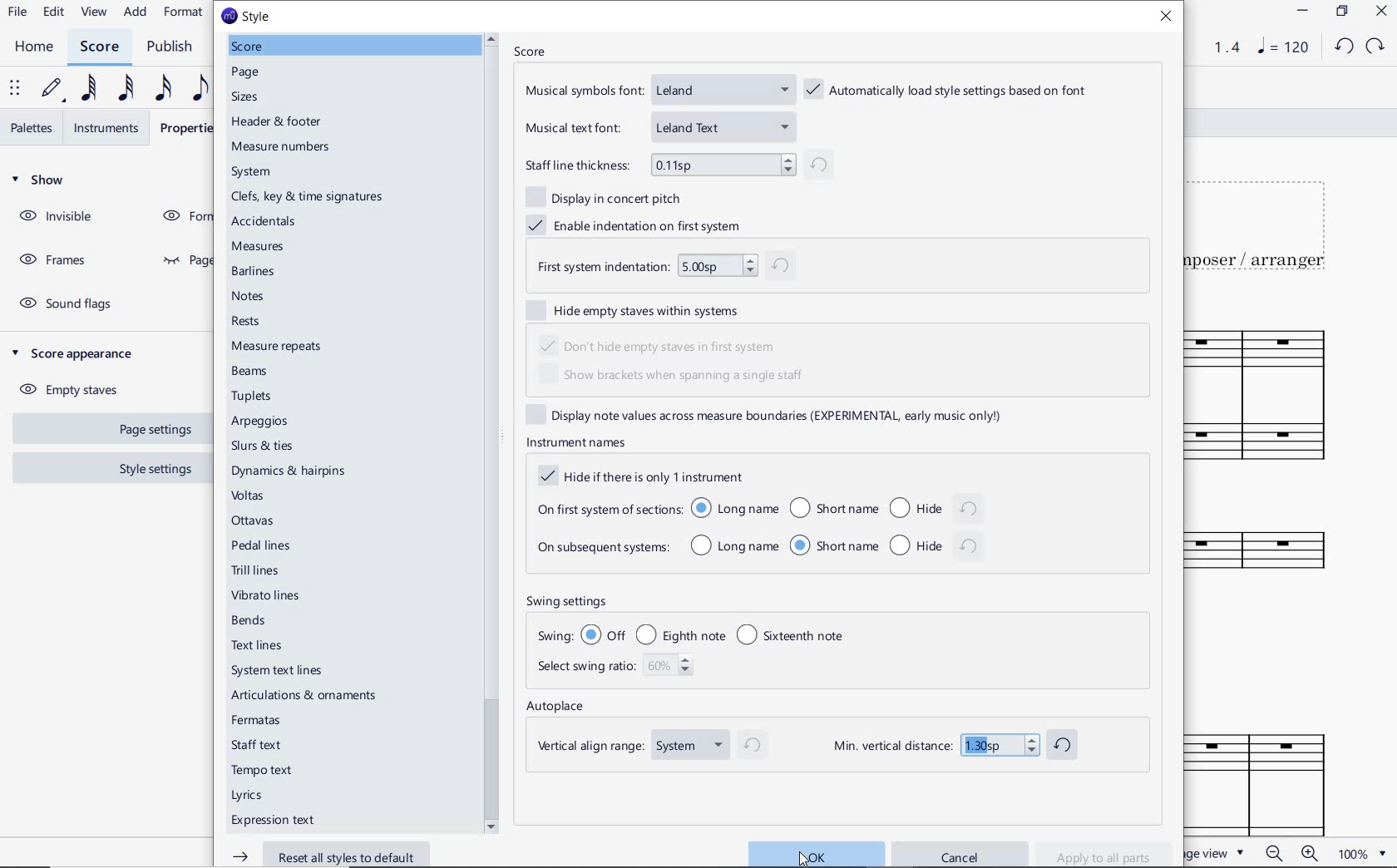 The height and width of the screenshot is (868, 1397). What do you see at coordinates (276, 346) in the screenshot?
I see `measure repeats` at bounding box center [276, 346].